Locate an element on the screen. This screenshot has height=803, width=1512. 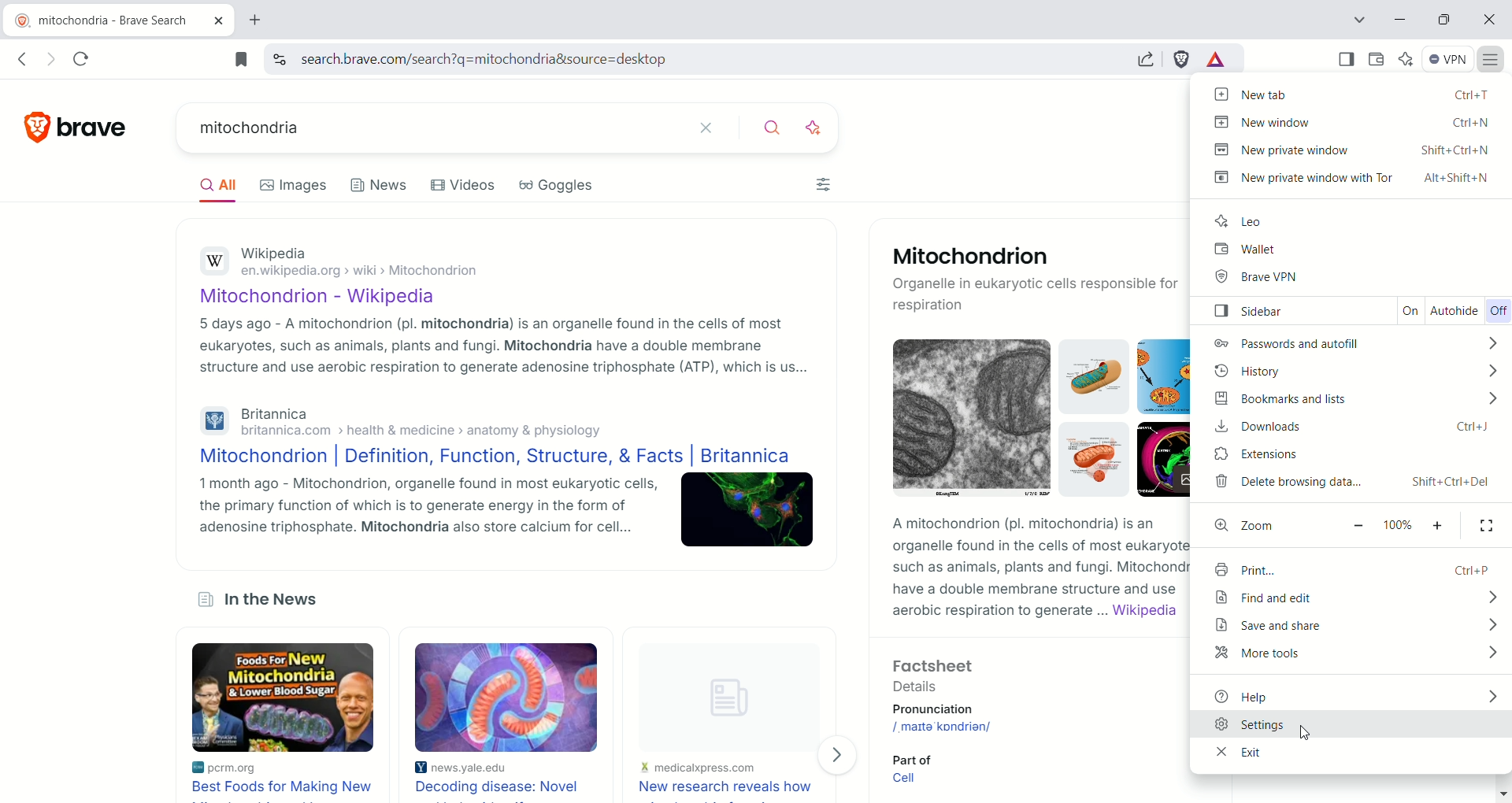
bookmark this tab is located at coordinates (243, 58).